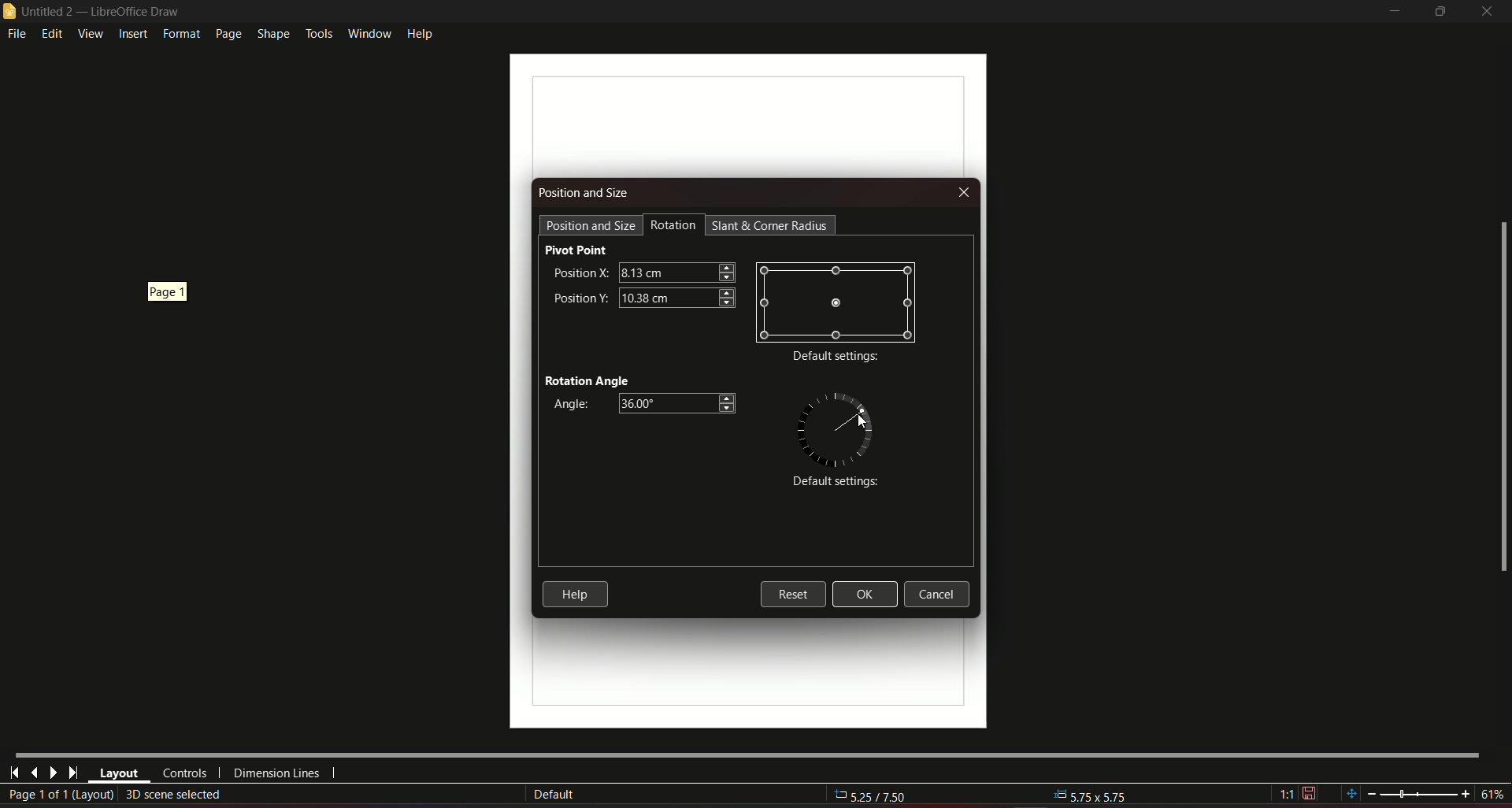 The width and height of the screenshot is (1512, 808). What do you see at coordinates (15, 771) in the screenshot?
I see `first page` at bounding box center [15, 771].